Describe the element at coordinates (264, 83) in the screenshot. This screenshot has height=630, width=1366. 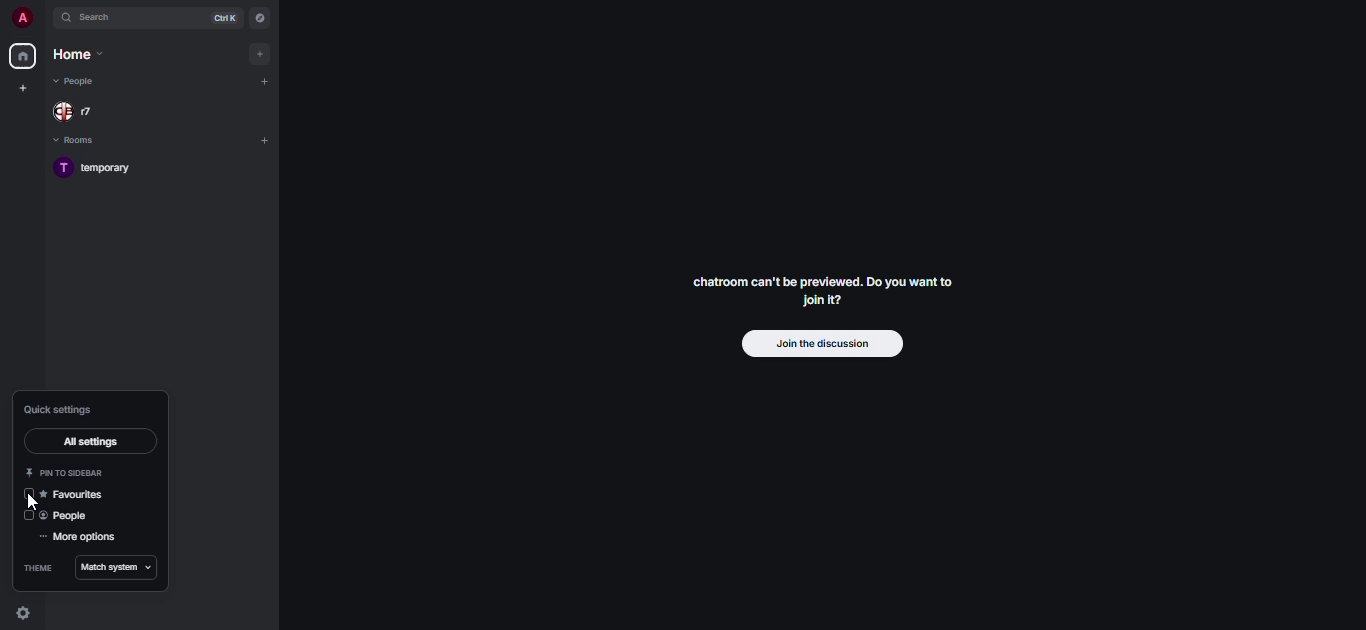
I see `add` at that location.